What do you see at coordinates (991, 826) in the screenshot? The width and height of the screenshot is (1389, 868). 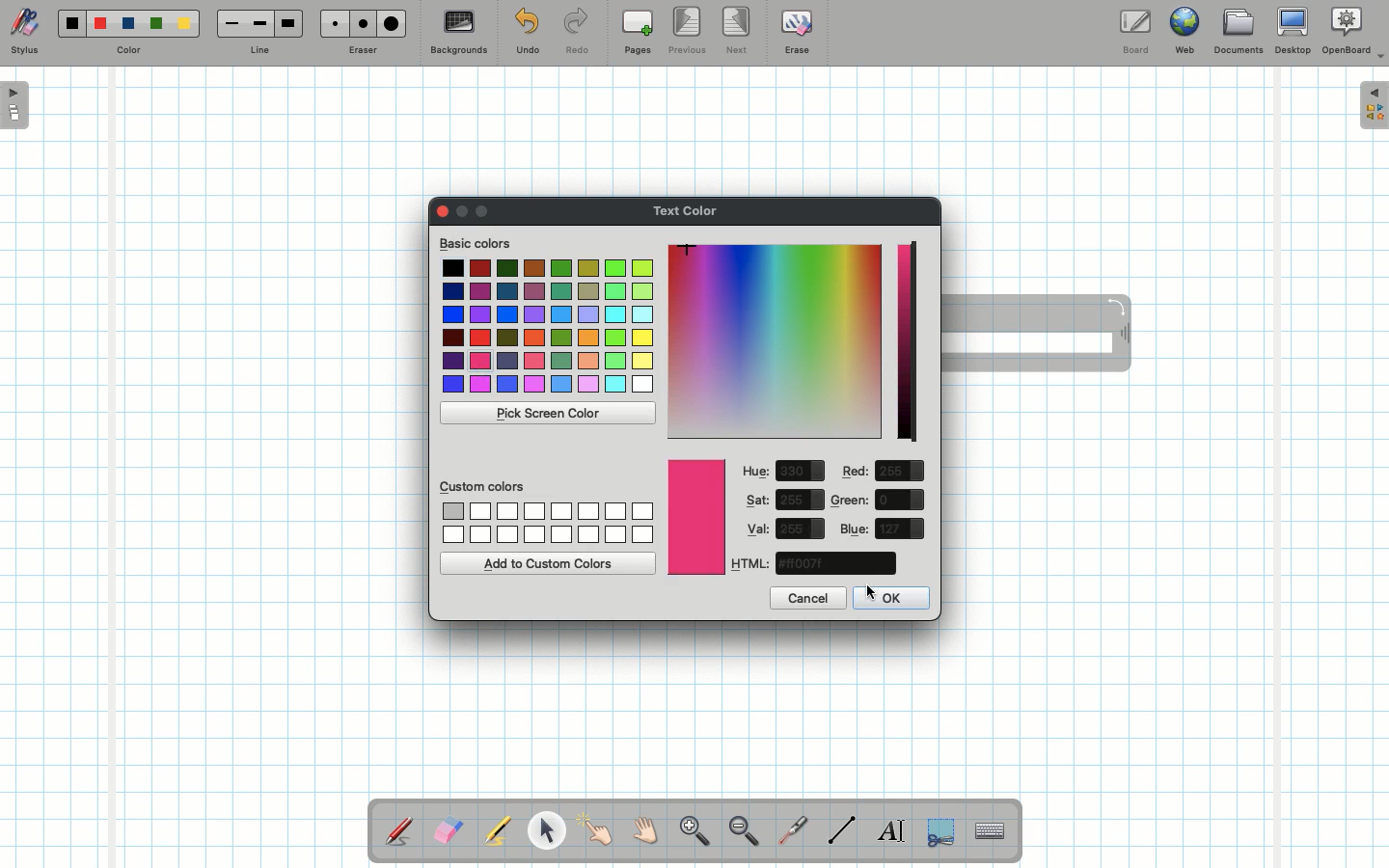 I see `Text input` at bounding box center [991, 826].